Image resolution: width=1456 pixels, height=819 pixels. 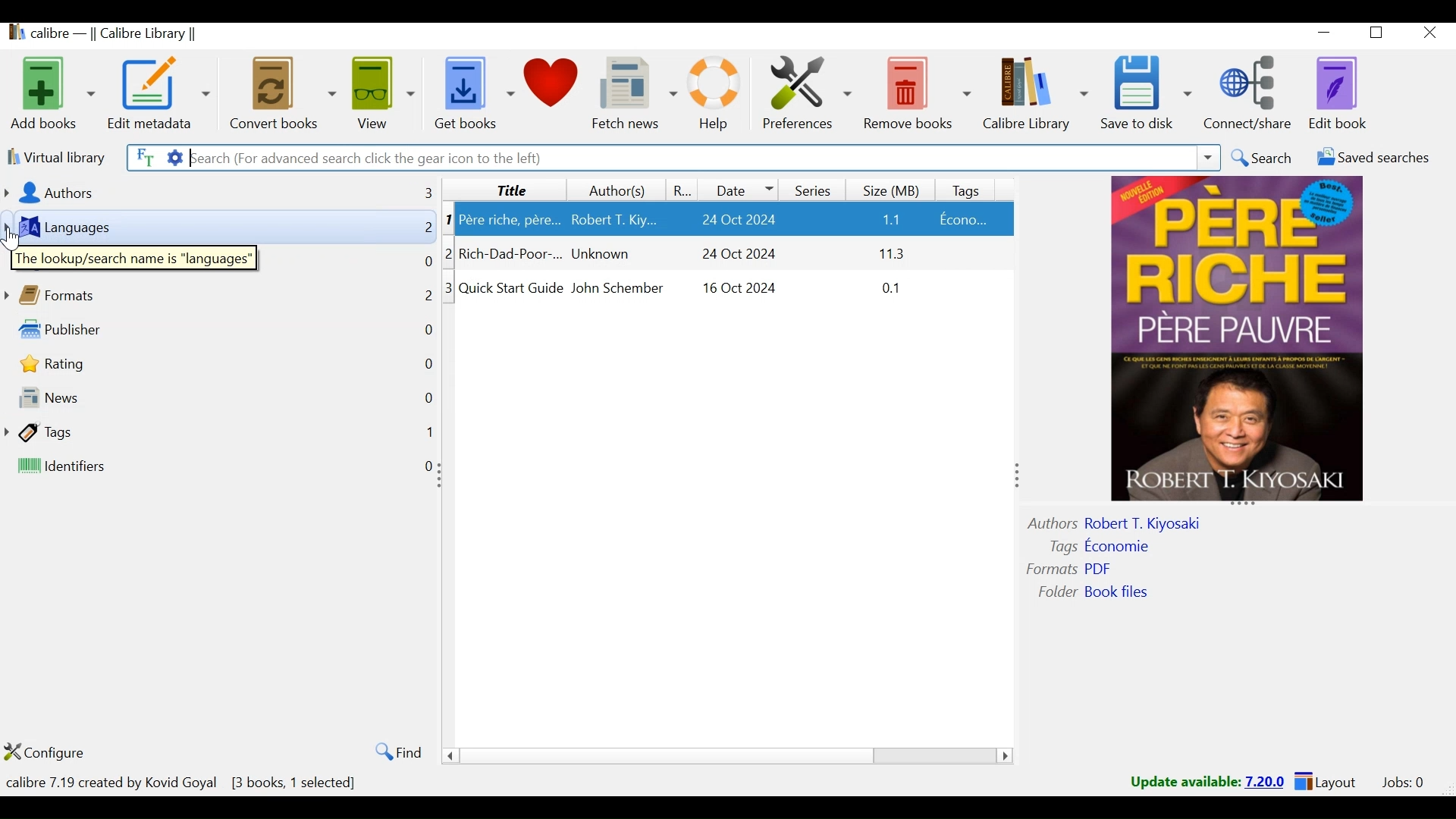 I want to click on 0, so click(x=420, y=362).